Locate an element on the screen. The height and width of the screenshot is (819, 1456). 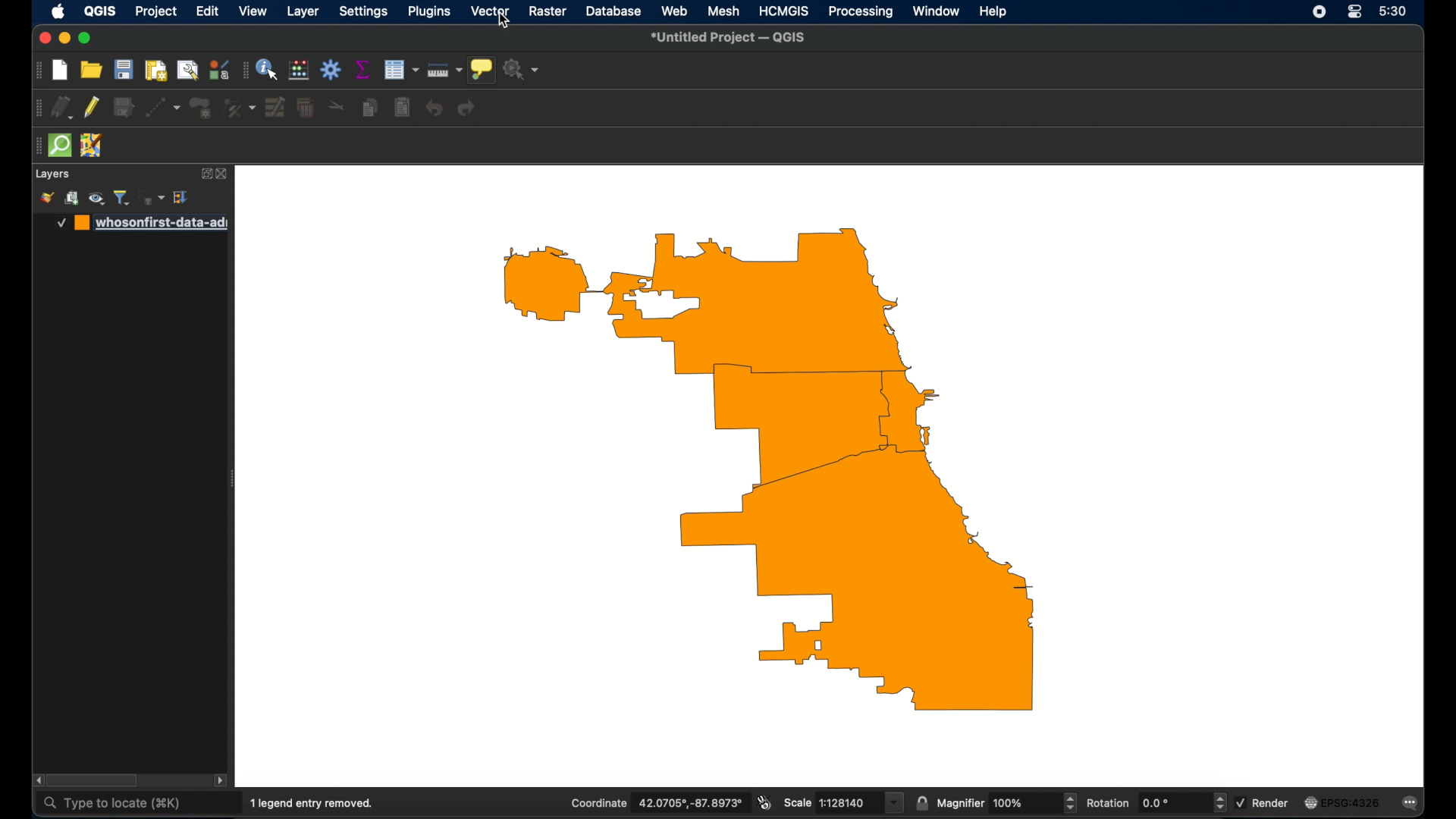
QGIS is located at coordinates (100, 11).